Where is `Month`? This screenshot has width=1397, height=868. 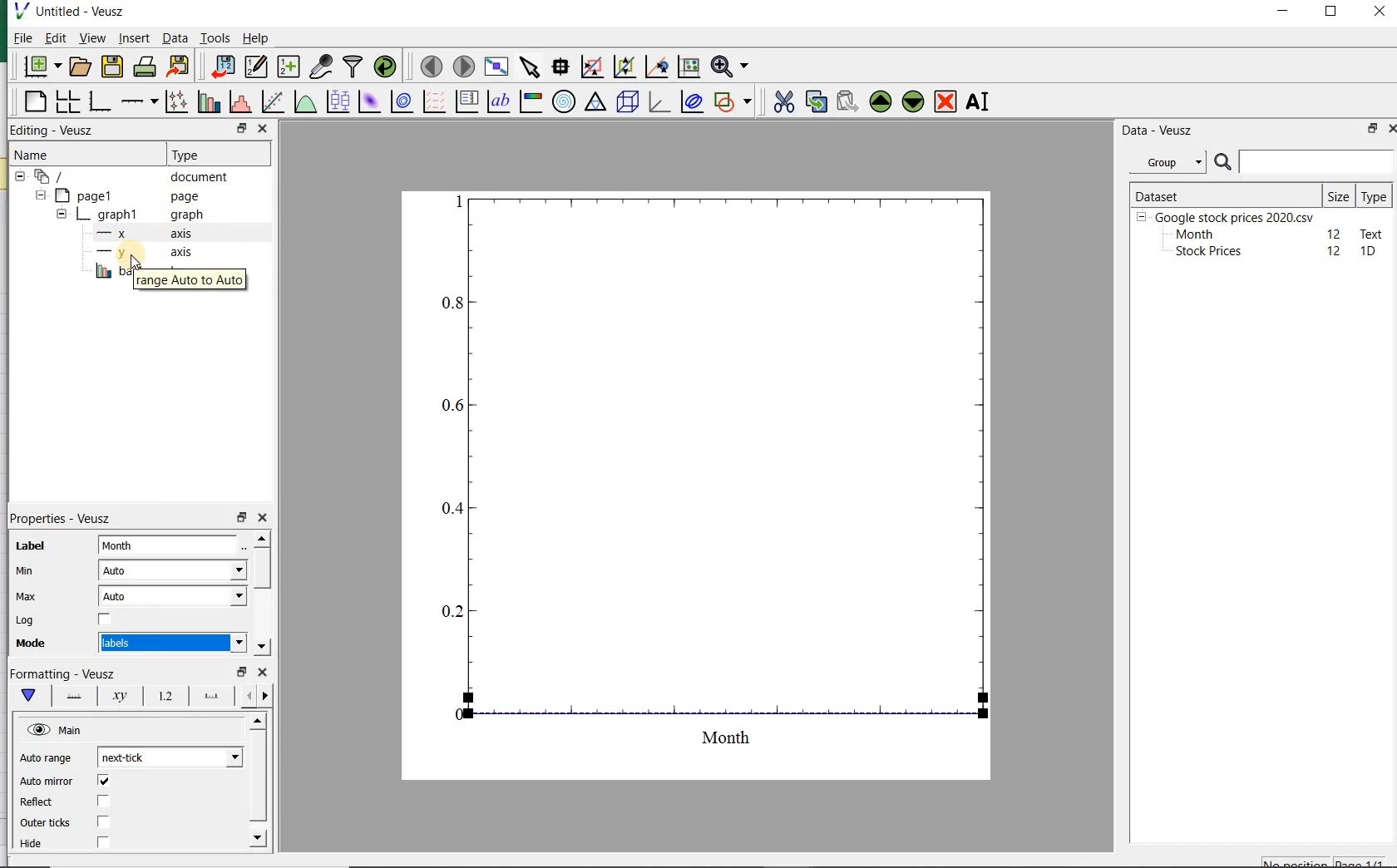 Month is located at coordinates (1193, 234).